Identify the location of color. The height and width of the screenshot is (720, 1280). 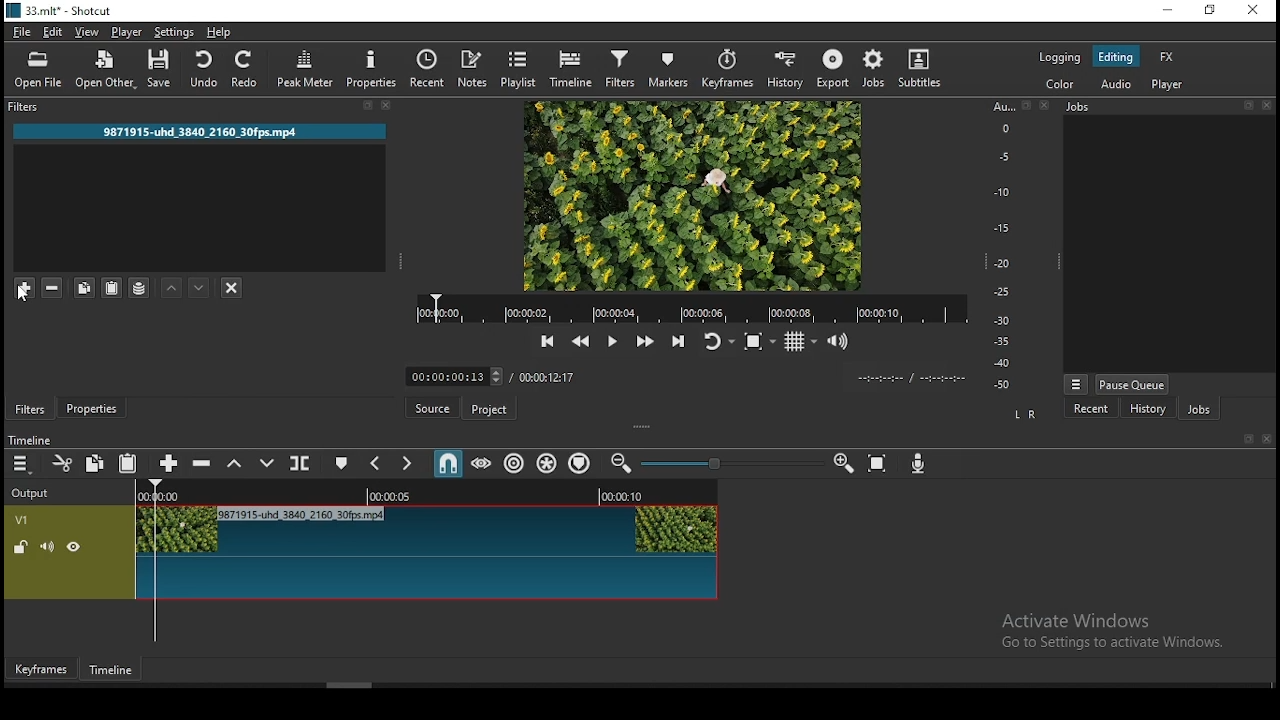
(1055, 83).